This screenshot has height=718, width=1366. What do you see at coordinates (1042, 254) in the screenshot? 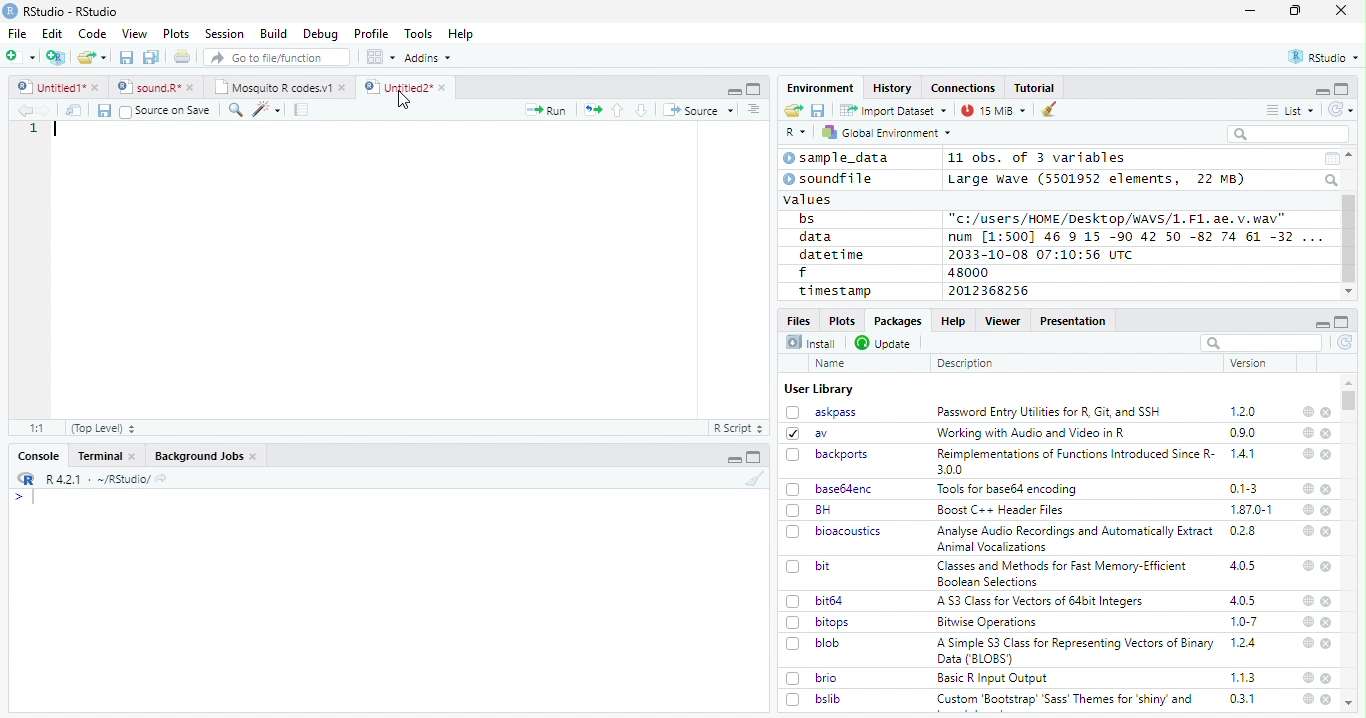
I see `2033-10-08 07:10:56 UTC` at bounding box center [1042, 254].